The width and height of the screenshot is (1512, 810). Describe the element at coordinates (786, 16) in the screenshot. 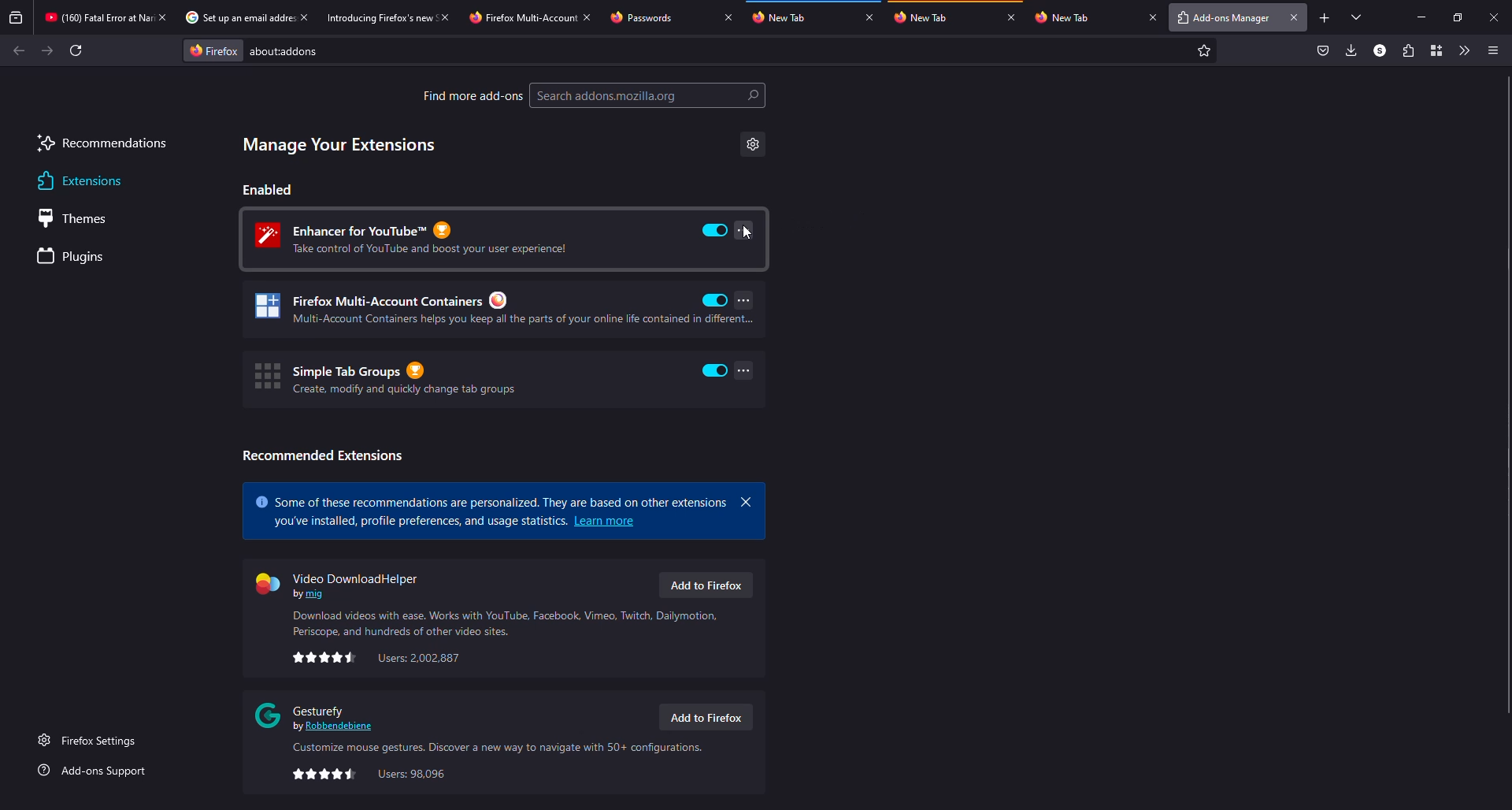

I see `tab` at that location.